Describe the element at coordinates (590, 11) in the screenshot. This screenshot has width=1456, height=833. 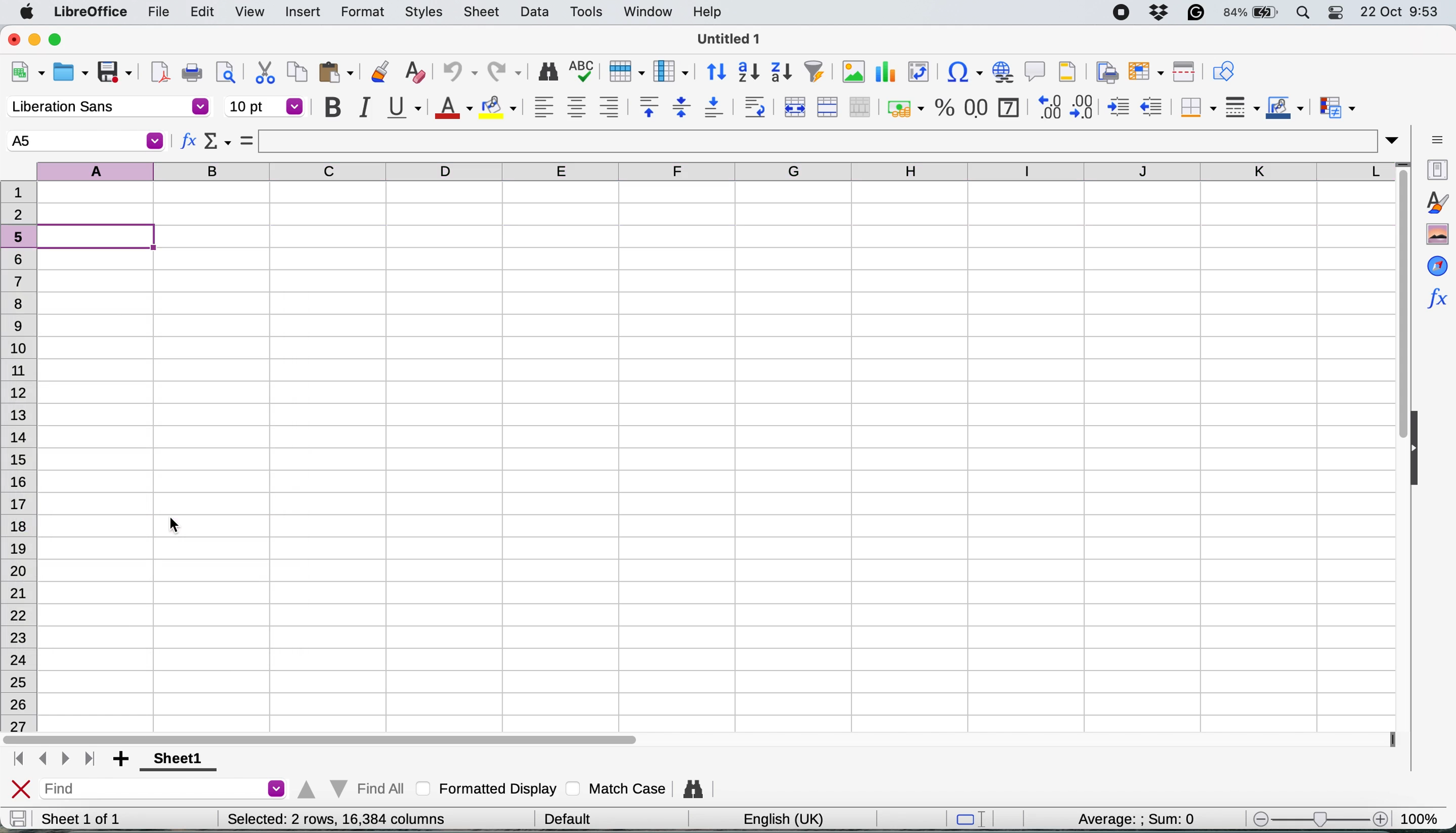
I see `tools` at that location.